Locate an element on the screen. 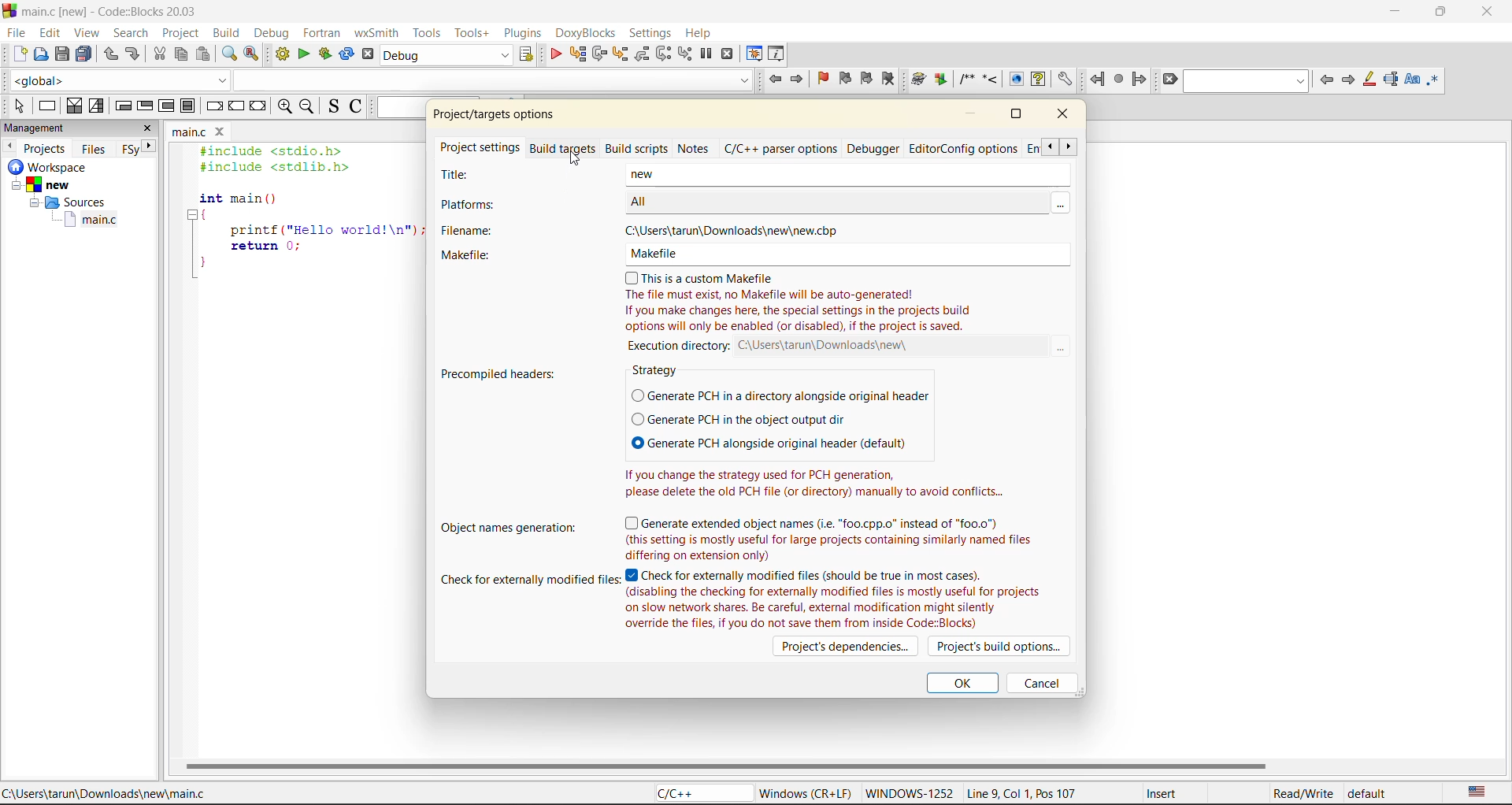  close is located at coordinates (1488, 15).